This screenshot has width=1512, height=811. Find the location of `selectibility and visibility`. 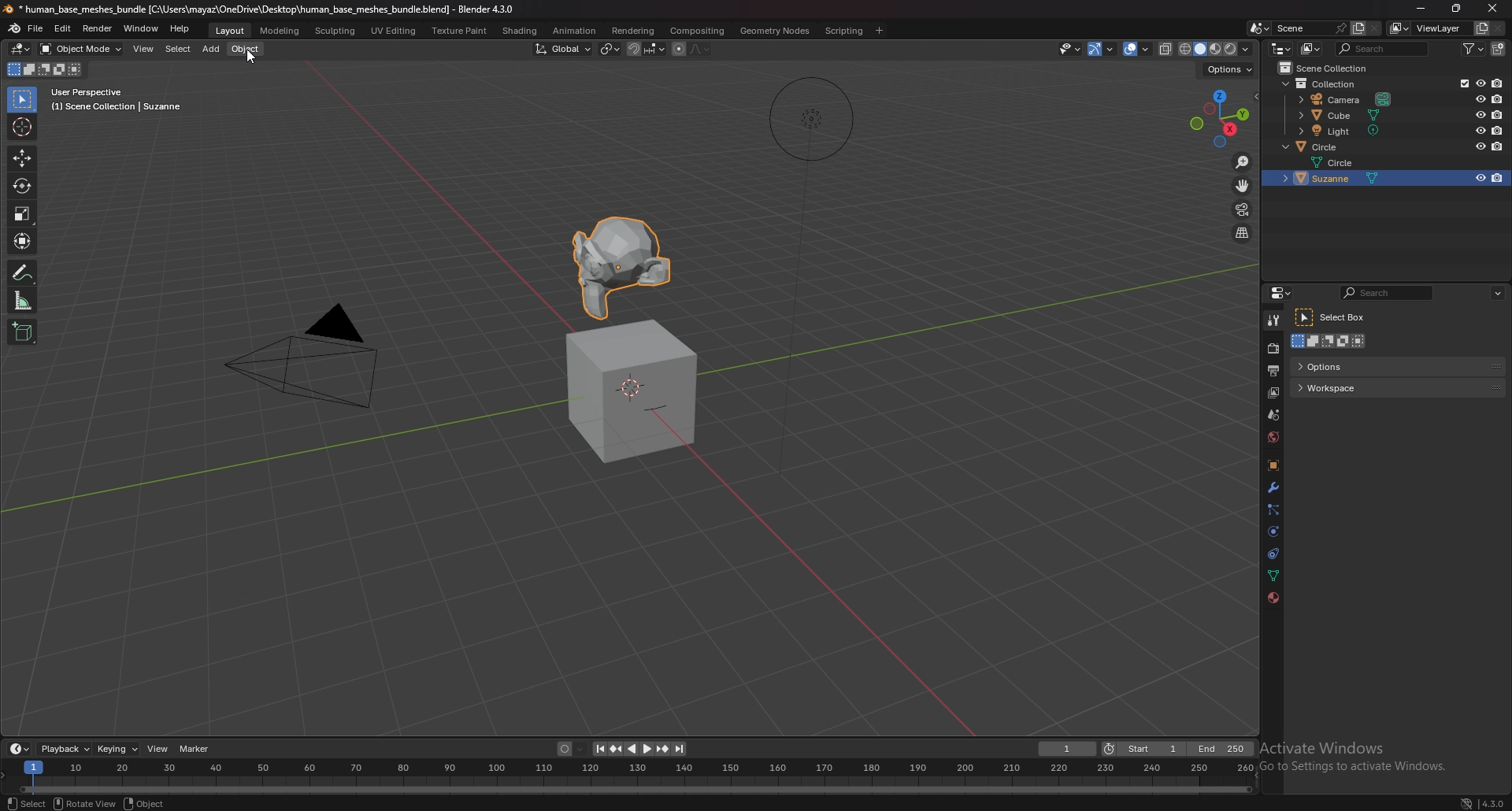

selectibility and visibility is located at coordinates (1071, 48).